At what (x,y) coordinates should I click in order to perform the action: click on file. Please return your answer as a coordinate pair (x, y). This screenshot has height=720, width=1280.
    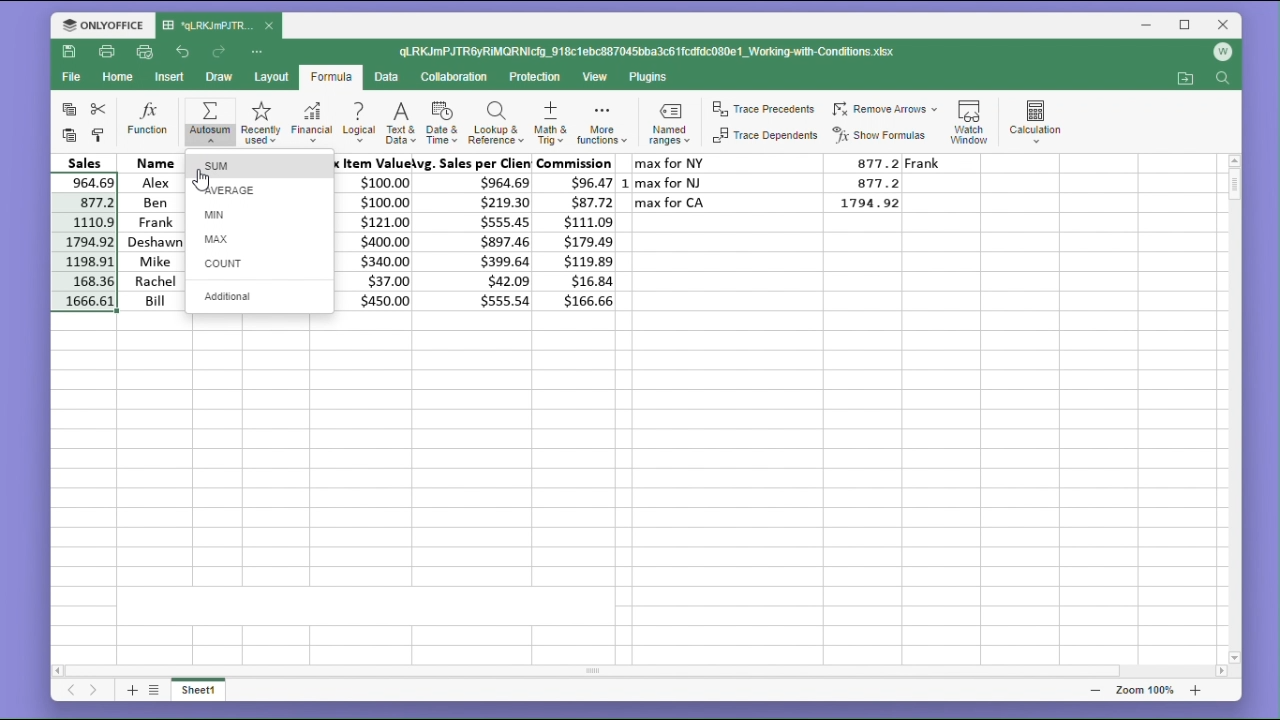
    Looking at the image, I should click on (71, 80).